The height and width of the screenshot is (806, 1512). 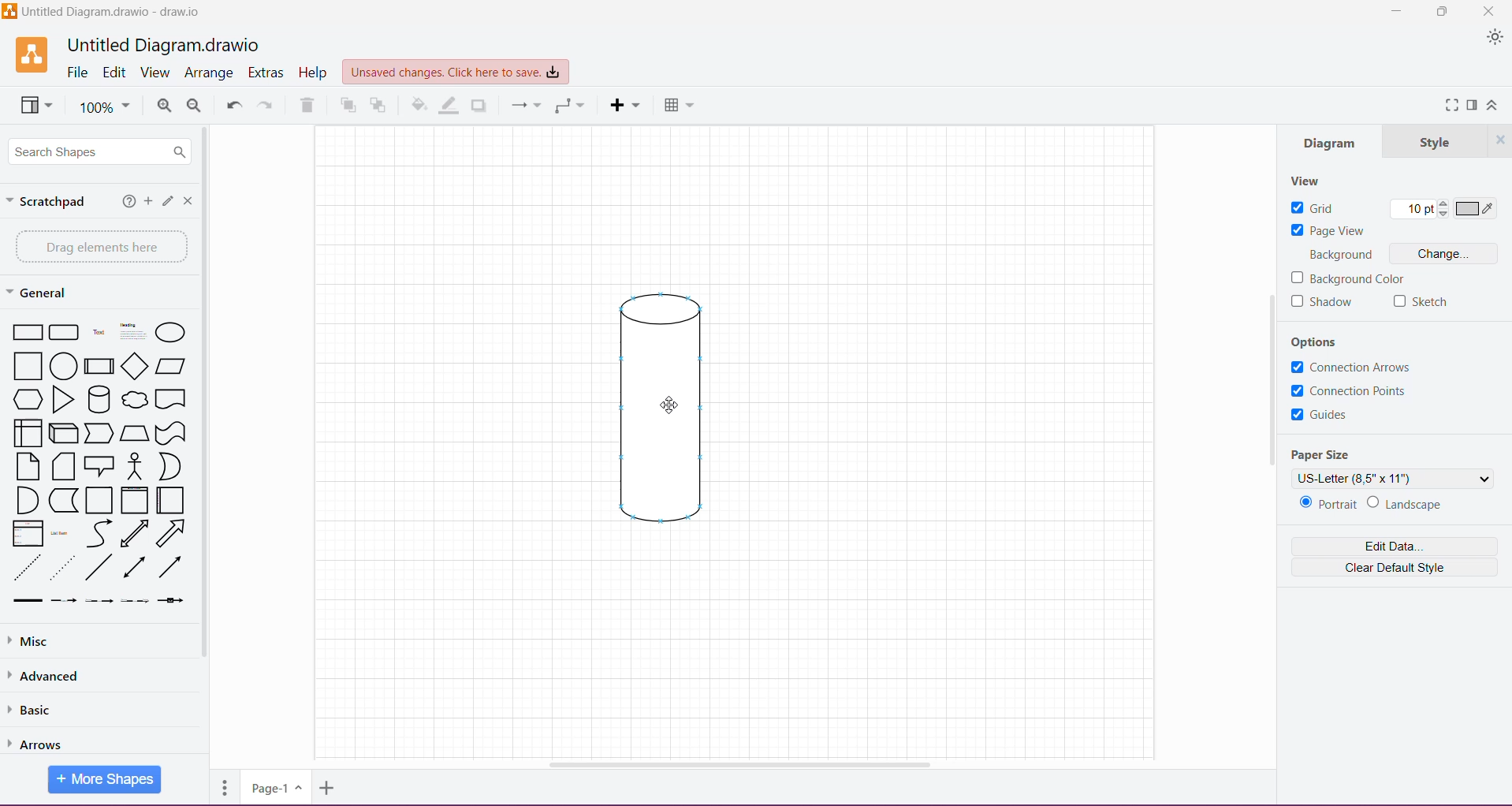 I want to click on View, so click(x=1309, y=180).